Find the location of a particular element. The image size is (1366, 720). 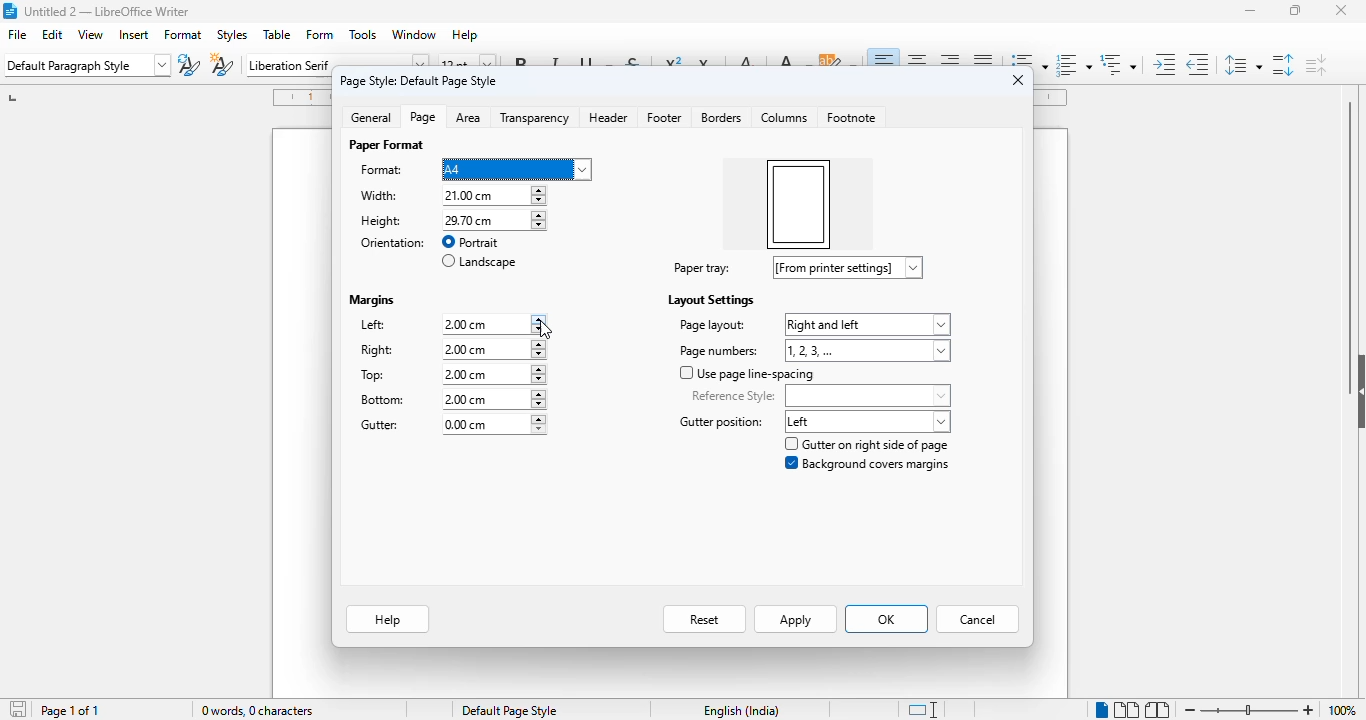

set outline format is located at coordinates (1118, 65).